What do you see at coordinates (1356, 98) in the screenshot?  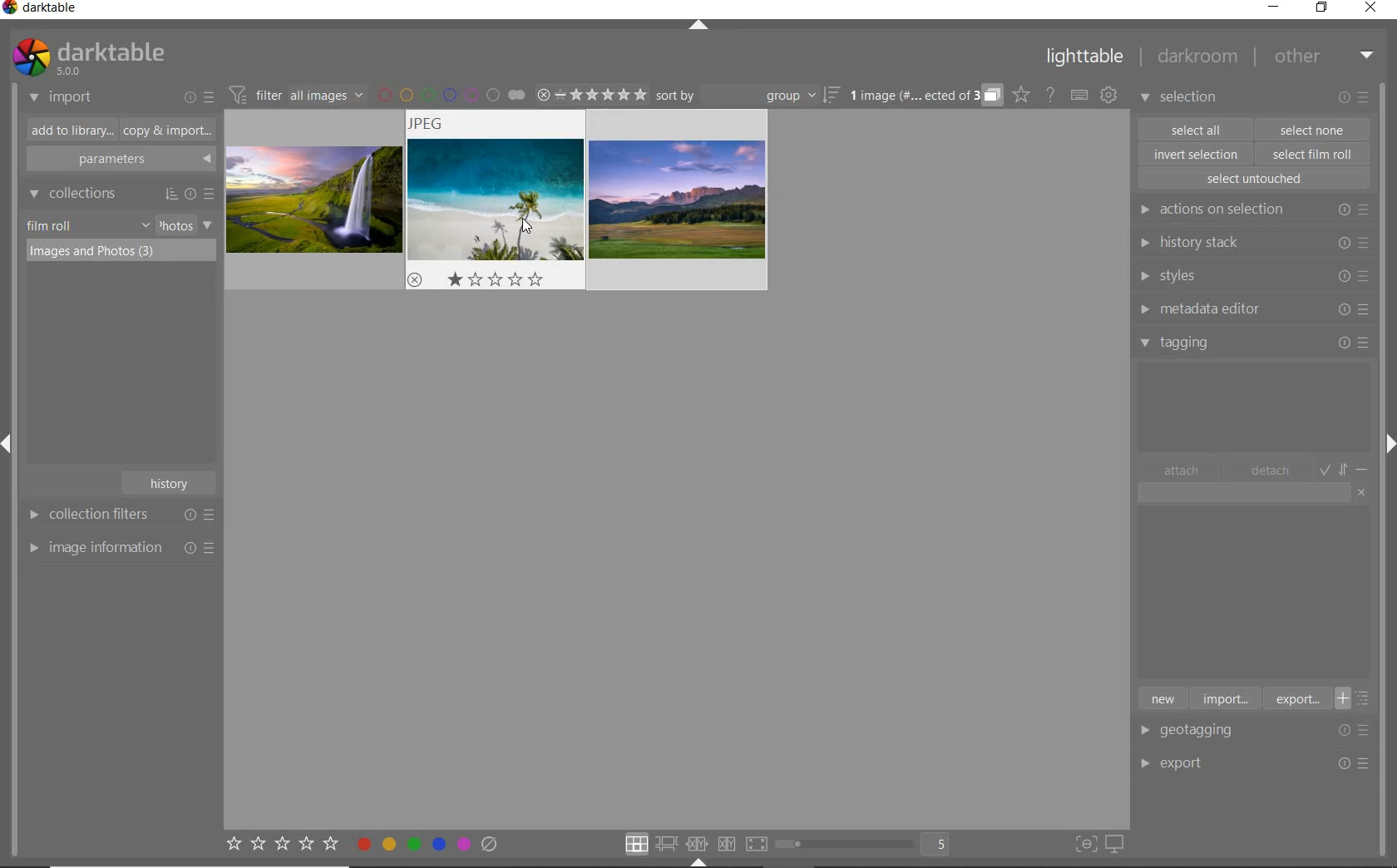 I see `modify selected images or presets & preferences` at bounding box center [1356, 98].